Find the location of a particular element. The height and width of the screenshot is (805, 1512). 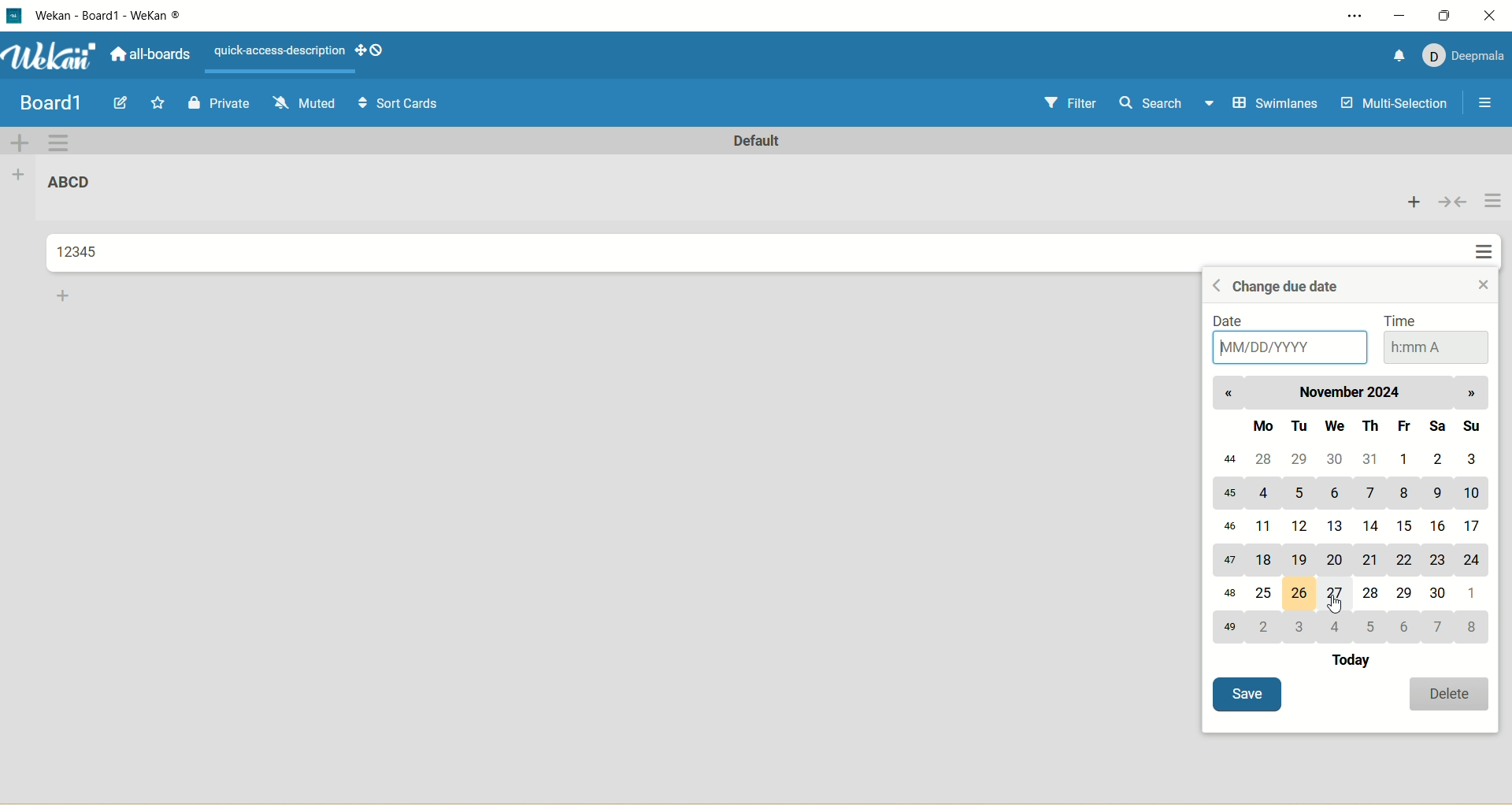

swimlanes is located at coordinates (1279, 104).